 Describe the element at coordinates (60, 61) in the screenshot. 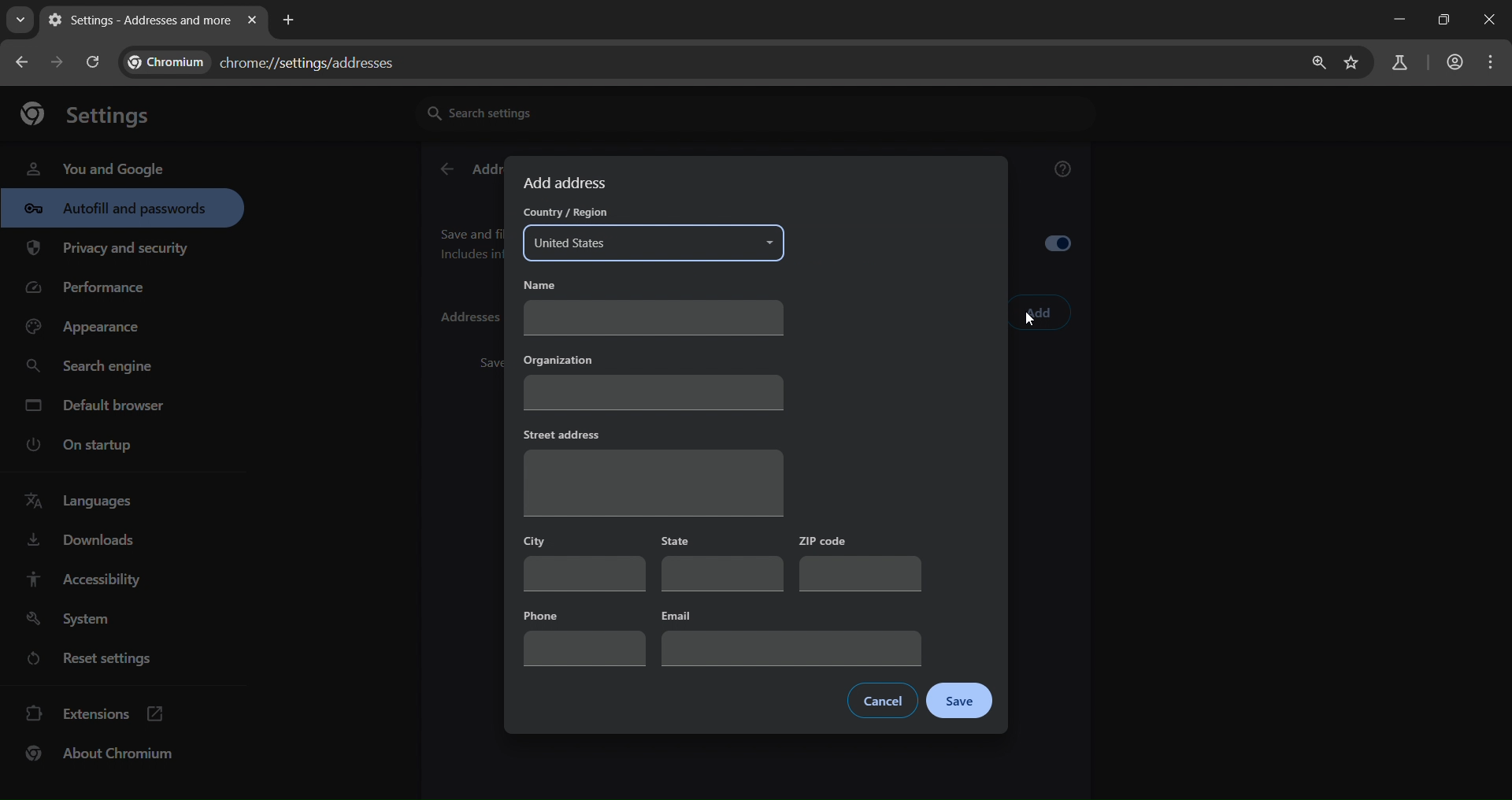

I see `go back one page` at that location.